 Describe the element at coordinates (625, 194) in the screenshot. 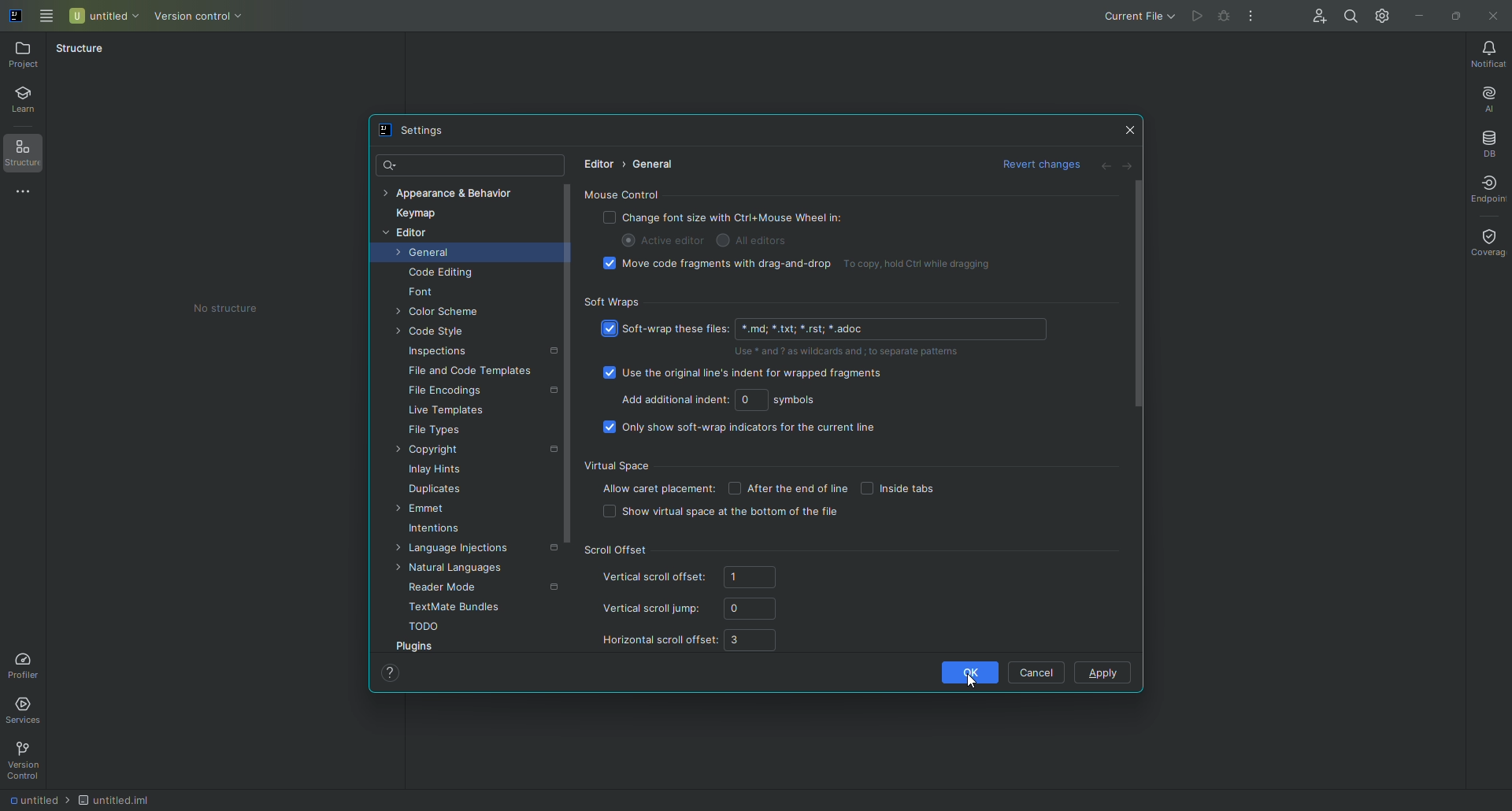

I see `Mouse Control` at that location.